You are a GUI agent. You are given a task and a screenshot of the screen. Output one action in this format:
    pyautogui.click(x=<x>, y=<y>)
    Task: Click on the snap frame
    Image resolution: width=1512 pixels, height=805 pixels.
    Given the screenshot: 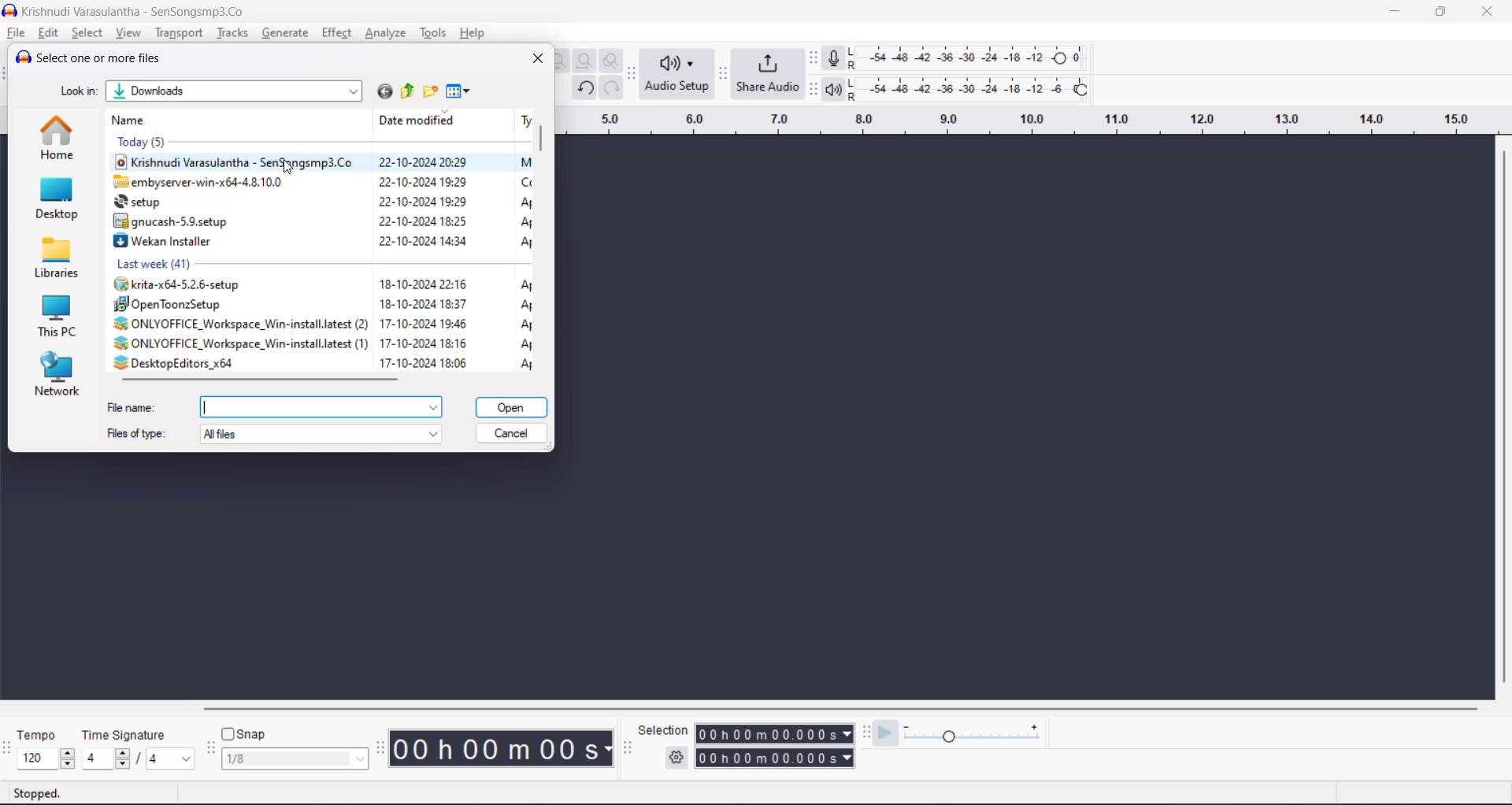 What is the action you would take?
    pyautogui.click(x=295, y=759)
    